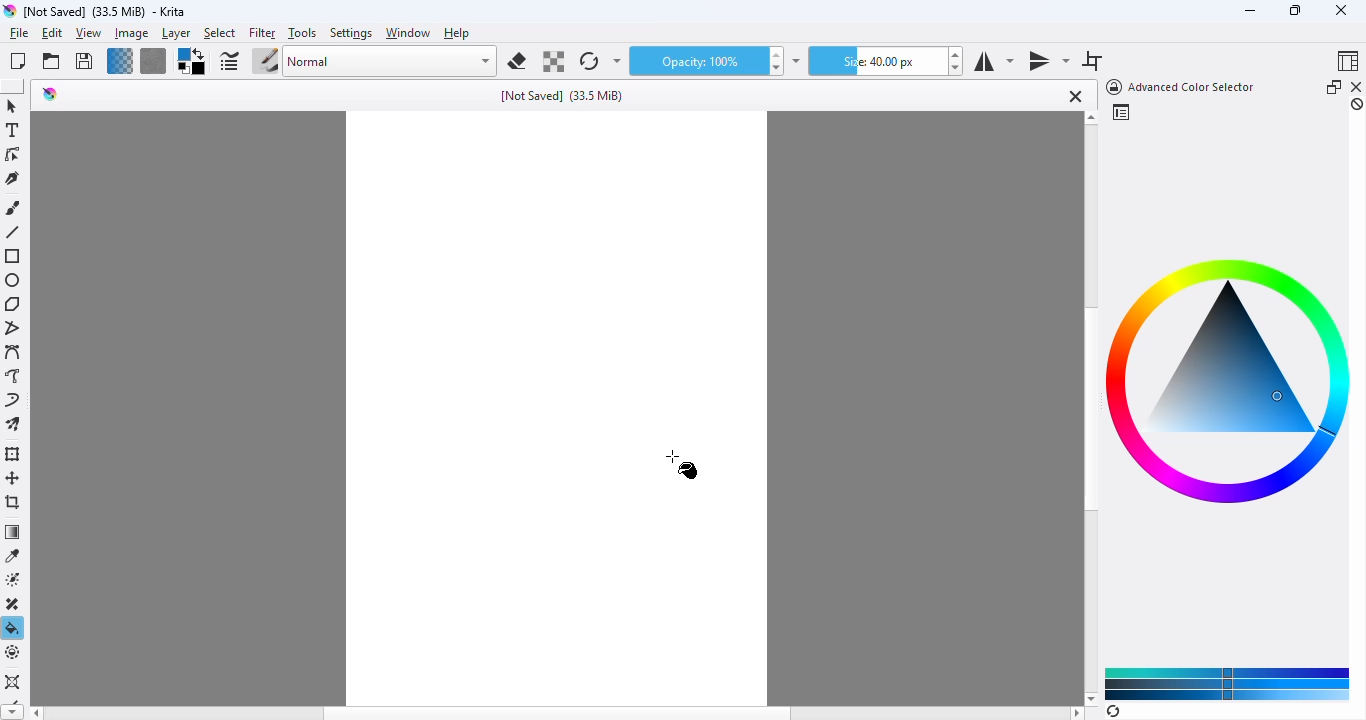 Image resolution: width=1366 pixels, height=720 pixels. What do you see at coordinates (875, 61) in the screenshot?
I see `size` at bounding box center [875, 61].